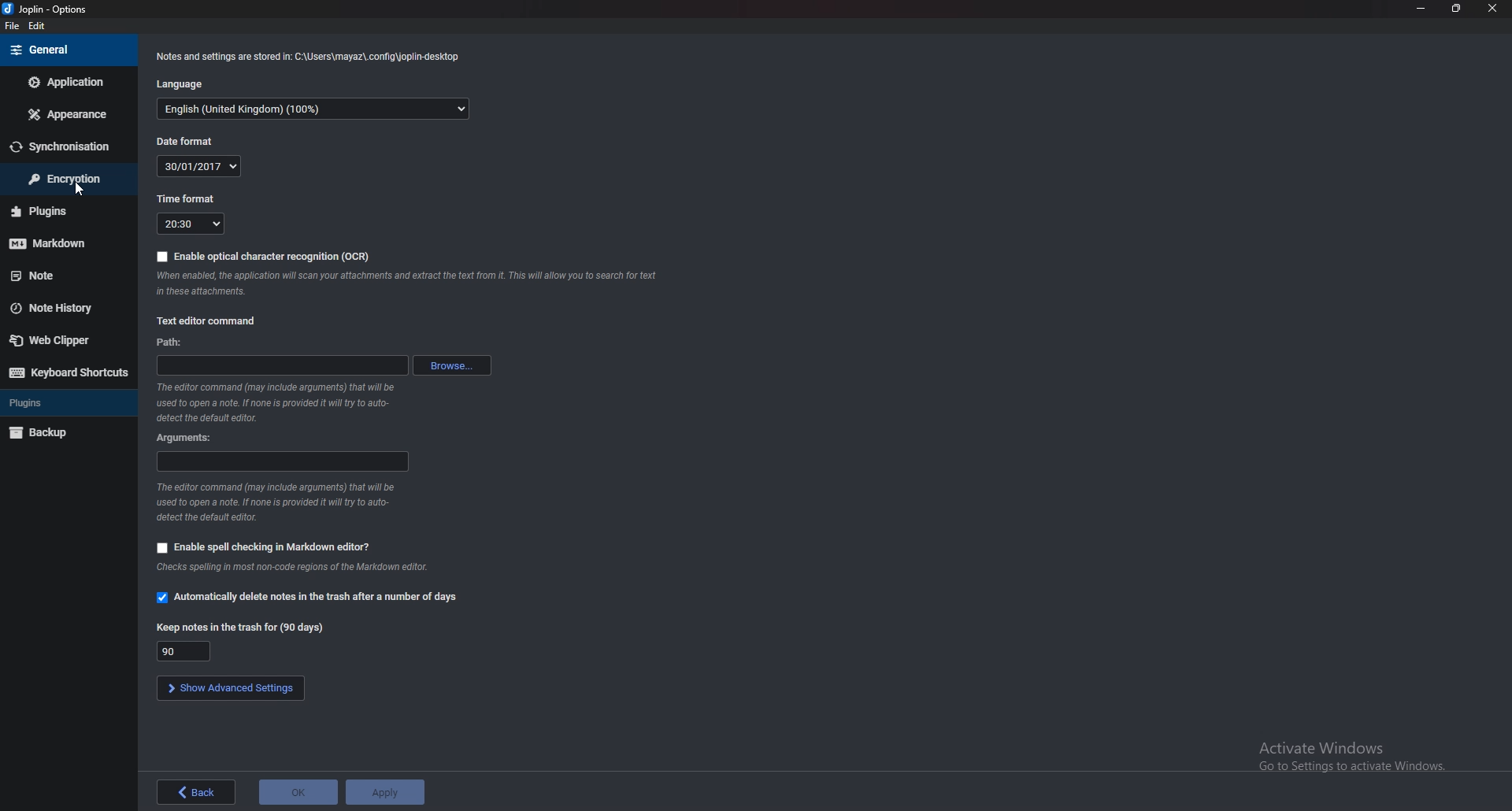 Image resolution: width=1512 pixels, height=811 pixels. What do you see at coordinates (196, 793) in the screenshot?
I see `back` at bounding box center [196, 793].